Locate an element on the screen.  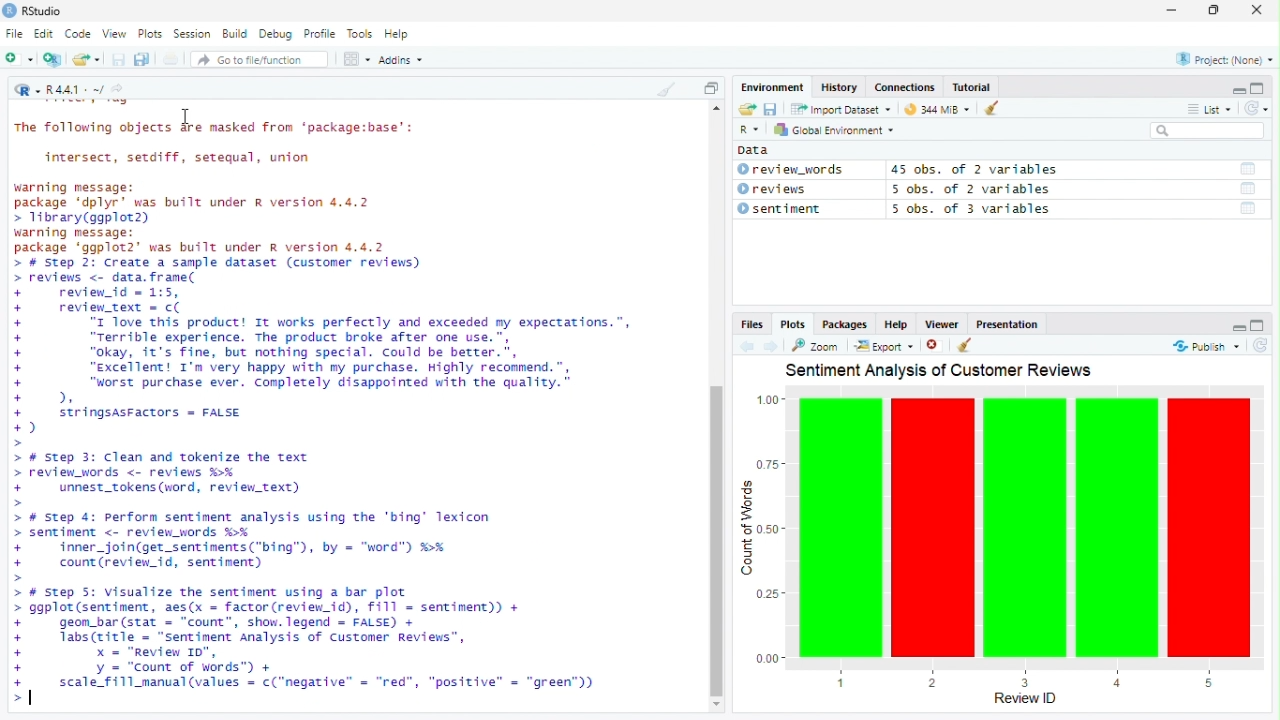
Global Environment is located at coordinates (834, 129).